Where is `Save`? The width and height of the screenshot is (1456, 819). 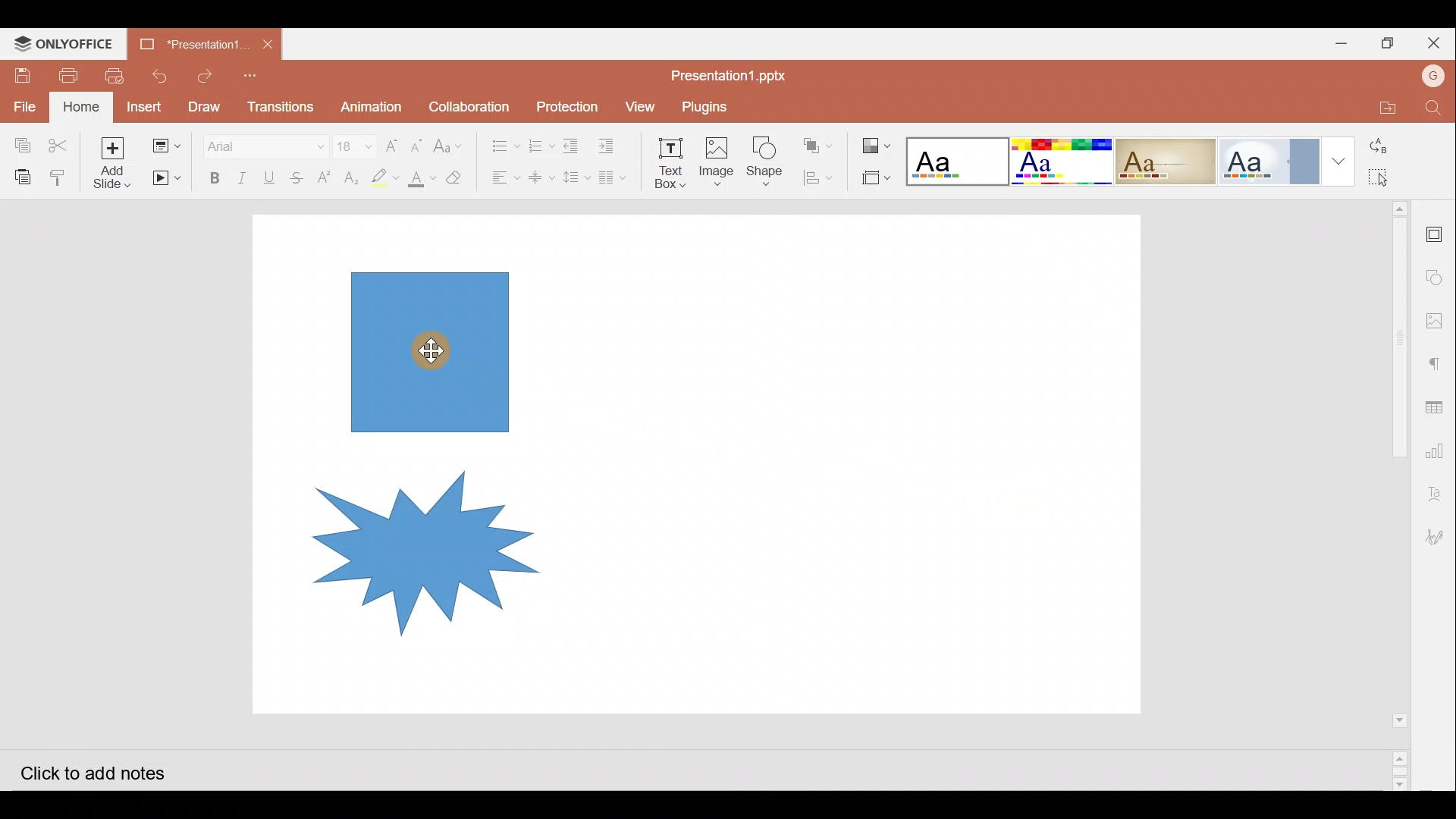 Save is located at coordinates (24, 74).